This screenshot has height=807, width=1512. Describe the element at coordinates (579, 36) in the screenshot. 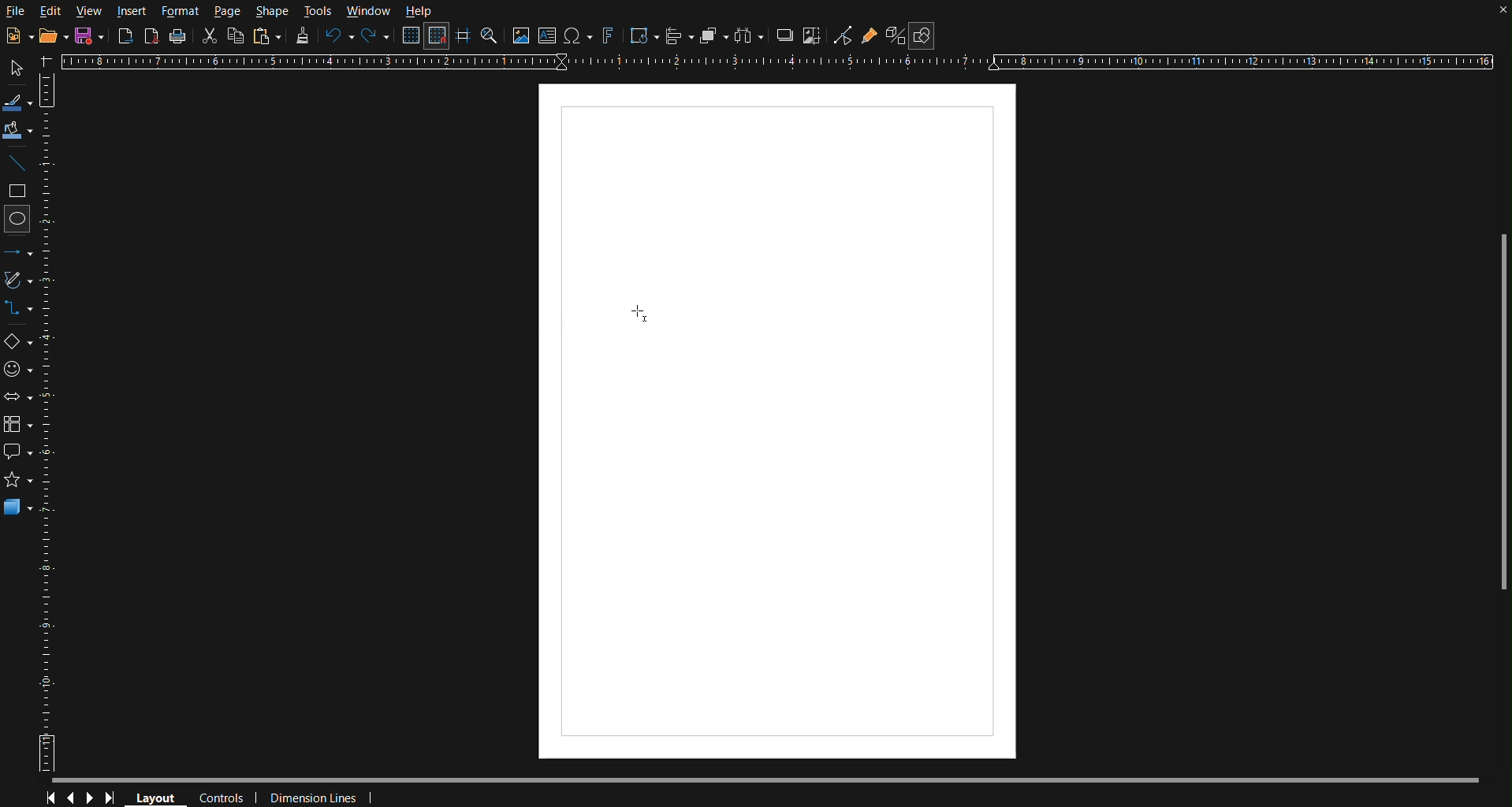

I see `Insert Special Character` at that location.